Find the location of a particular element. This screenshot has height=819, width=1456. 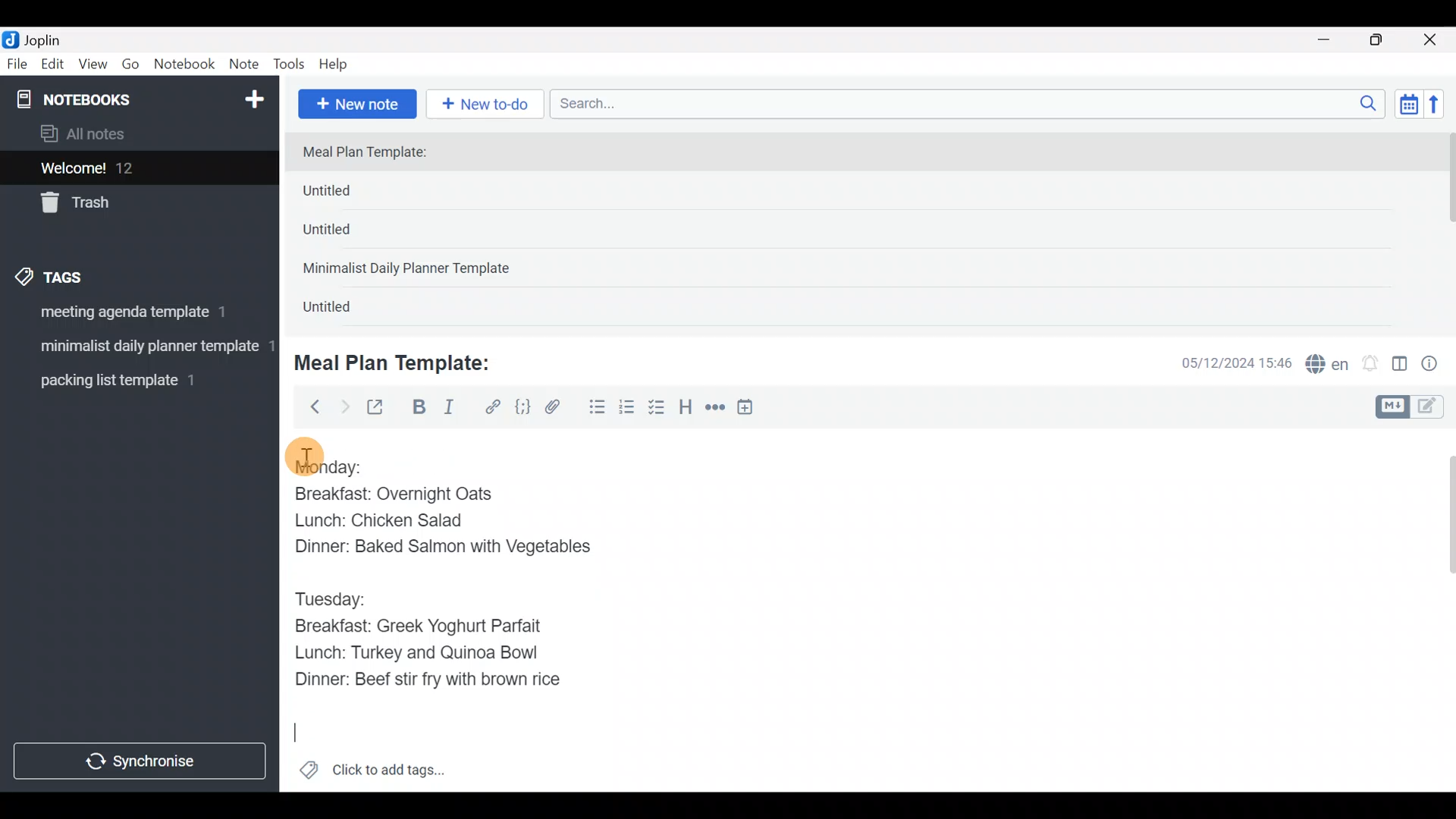

Monday: is located at coordinates (322, 470).